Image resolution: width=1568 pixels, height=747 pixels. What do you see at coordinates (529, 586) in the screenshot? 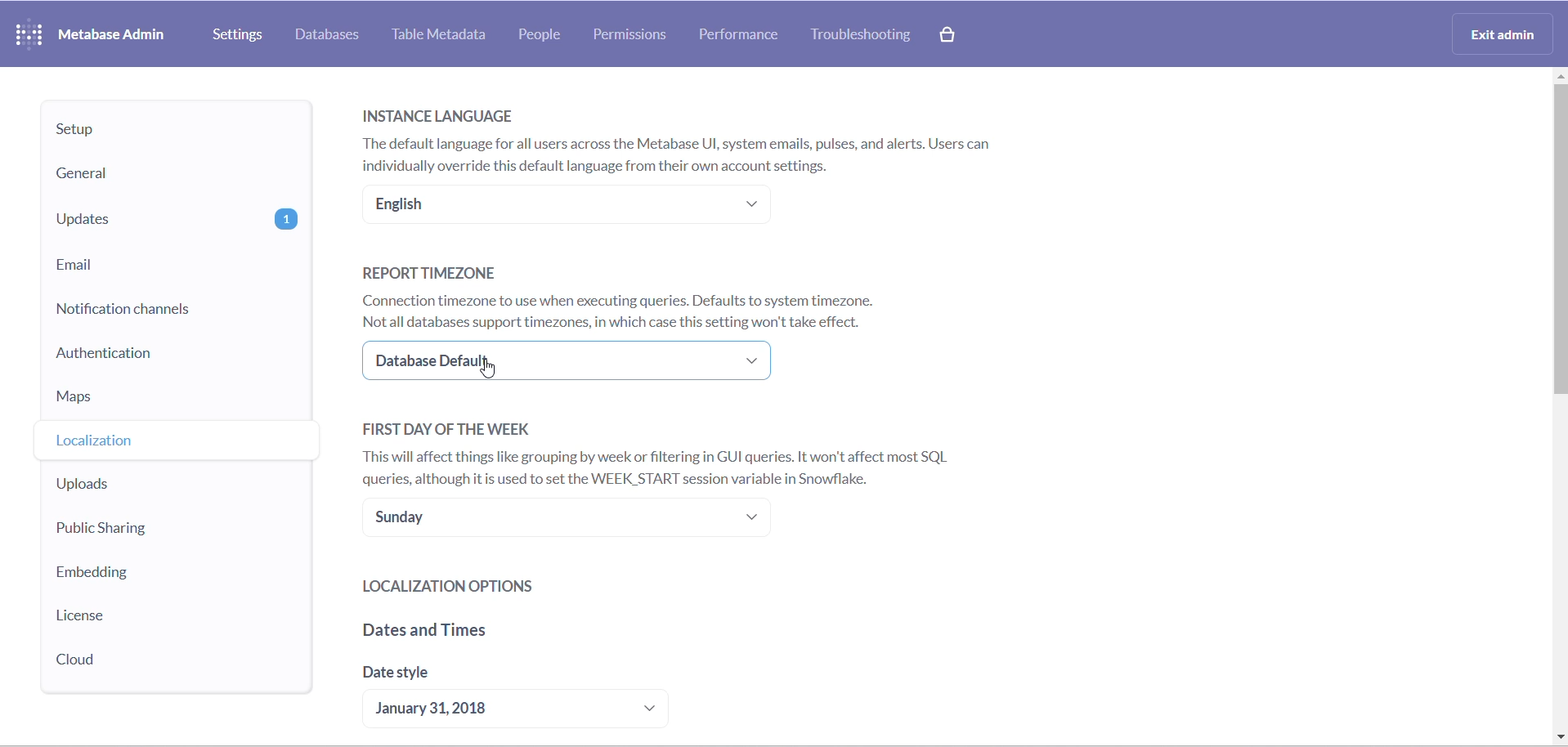
I see `localization options` at bounding box center [529, 586].